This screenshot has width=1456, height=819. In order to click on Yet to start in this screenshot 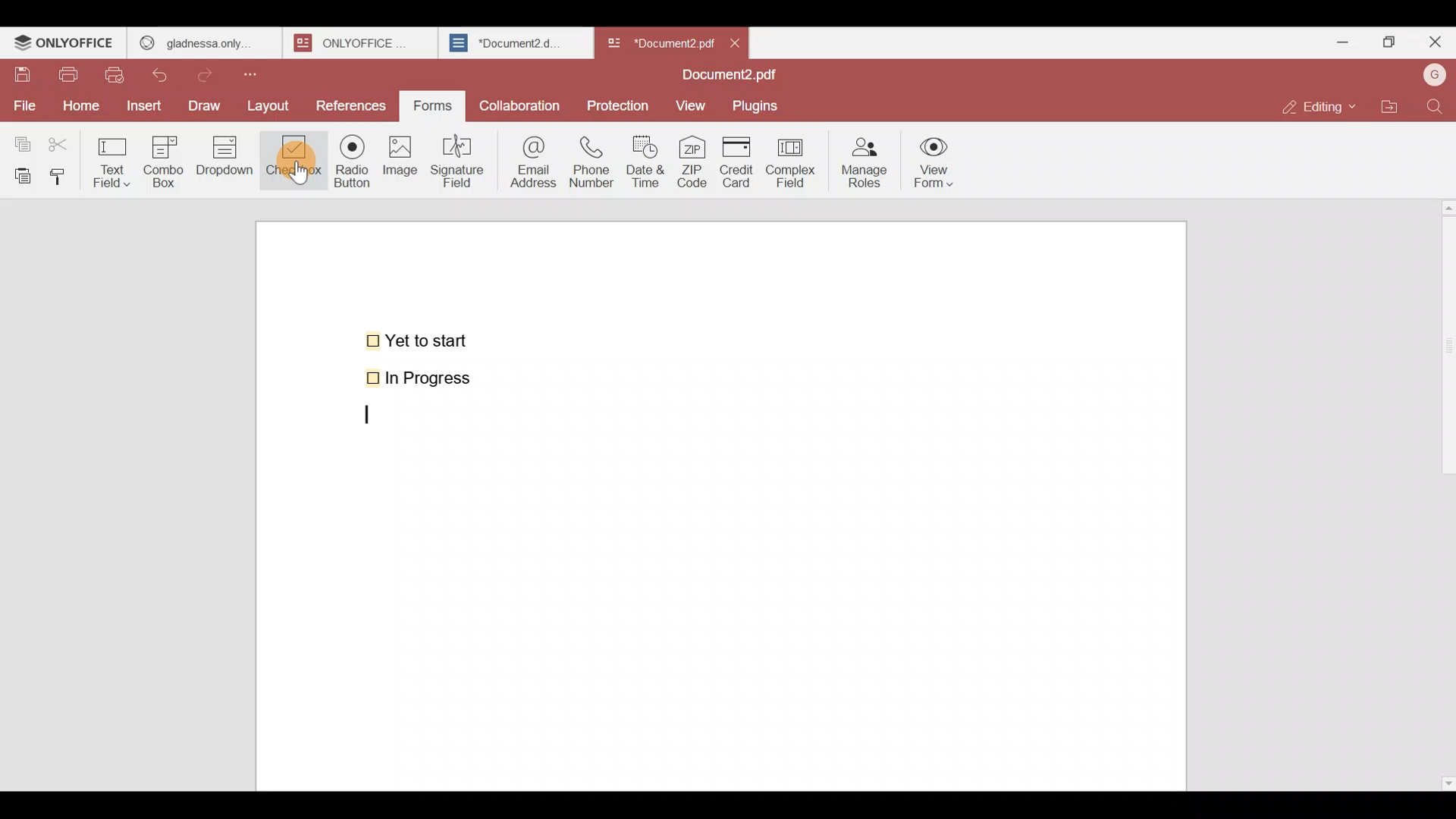, I will do `click(420, 339)`.